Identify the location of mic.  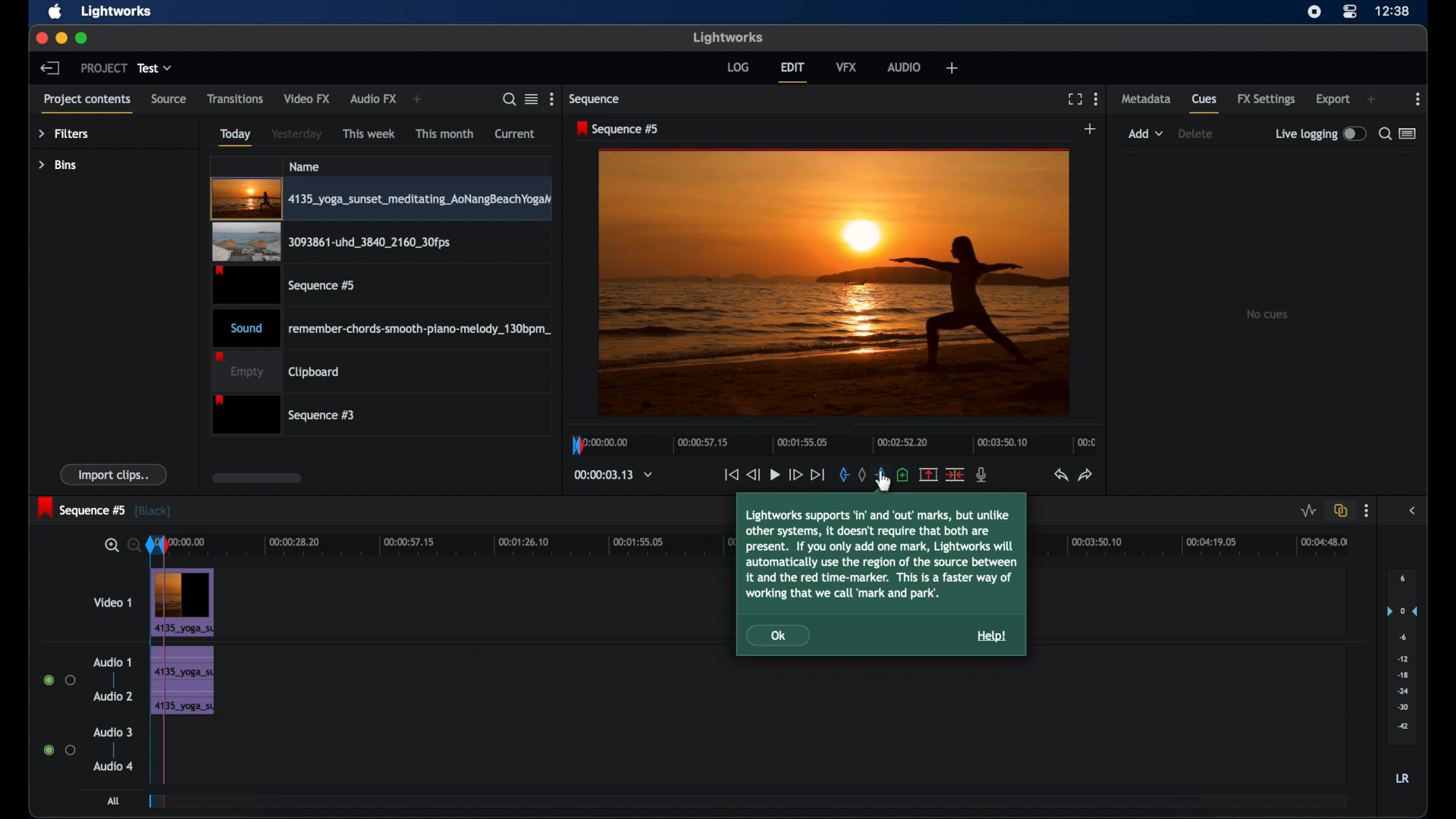
(983, 475).